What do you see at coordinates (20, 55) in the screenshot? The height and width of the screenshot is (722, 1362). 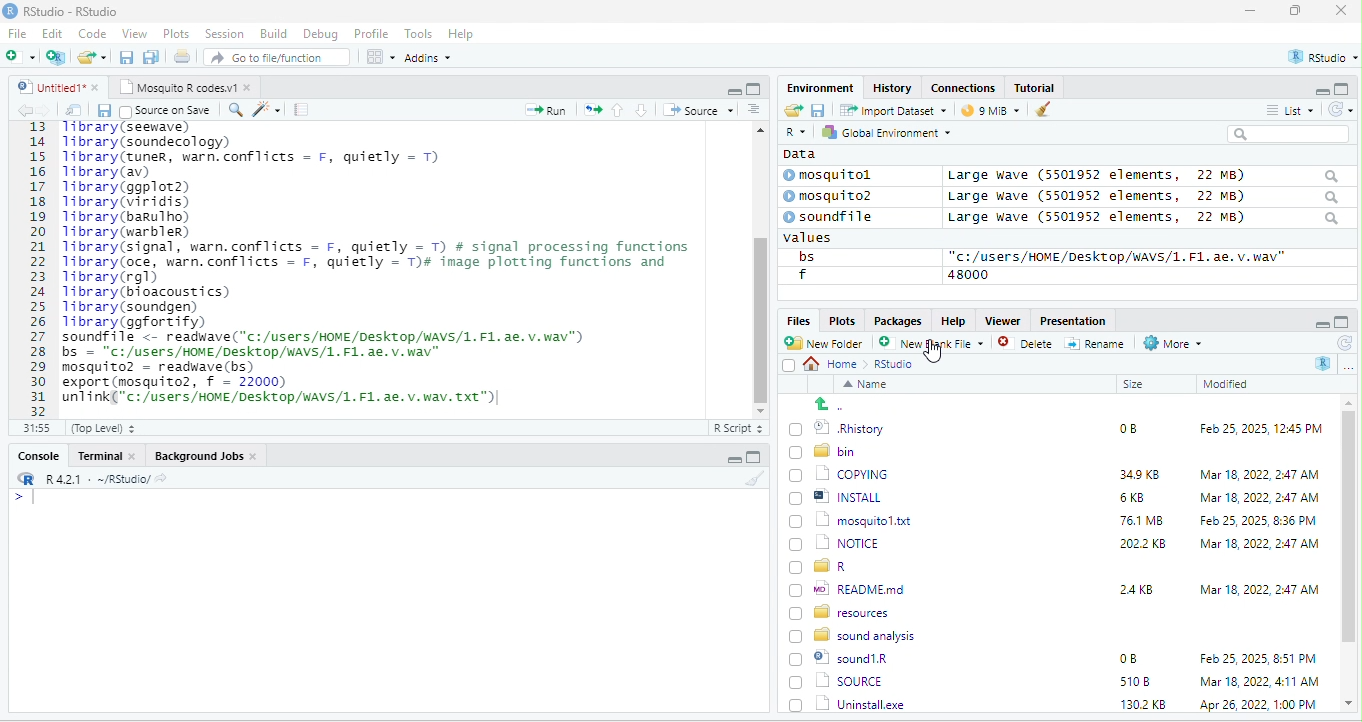 I see `new` at bounding box center [20, 55].